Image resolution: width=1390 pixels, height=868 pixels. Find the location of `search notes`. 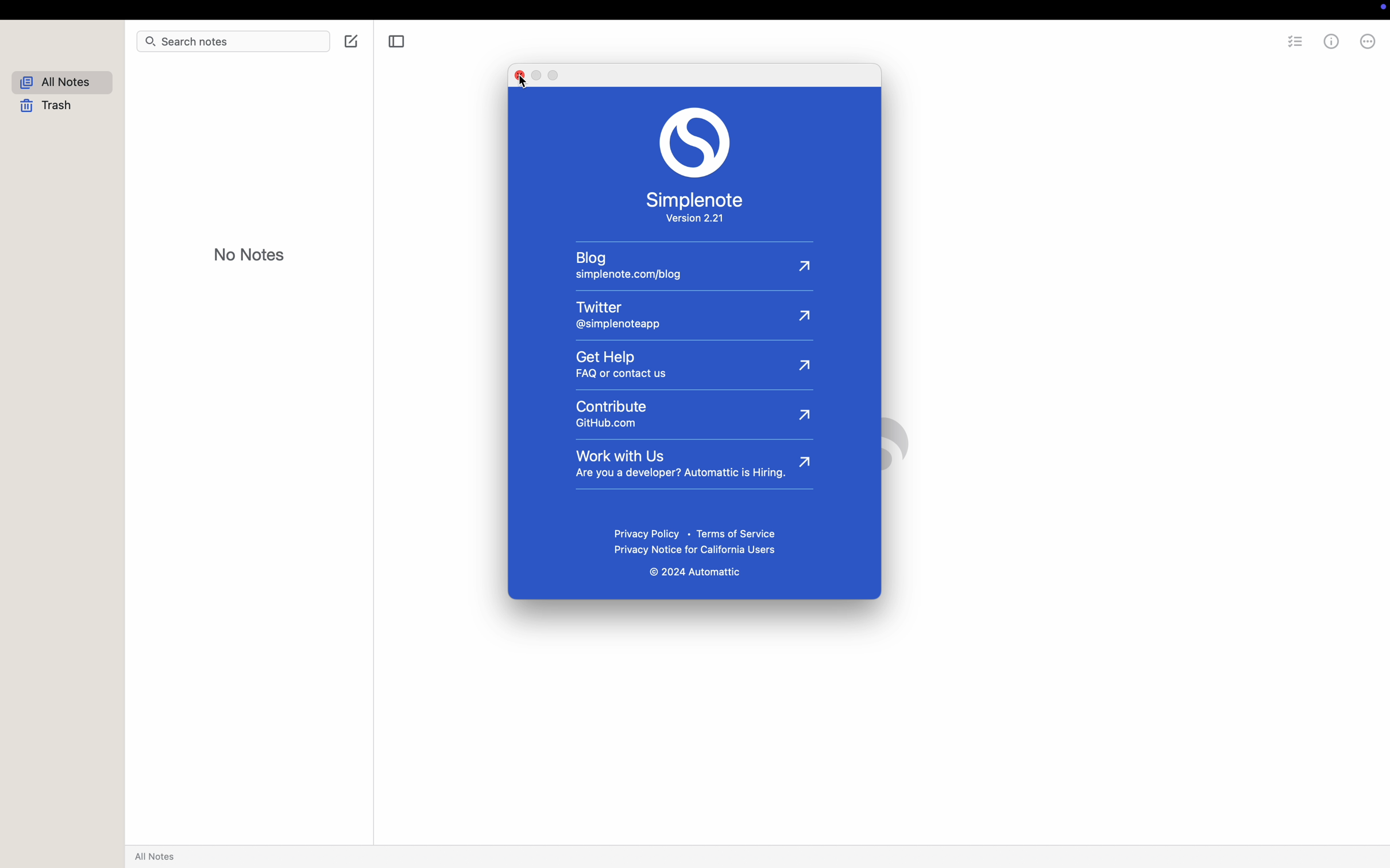

search notes is located at coordinates (208, 43).